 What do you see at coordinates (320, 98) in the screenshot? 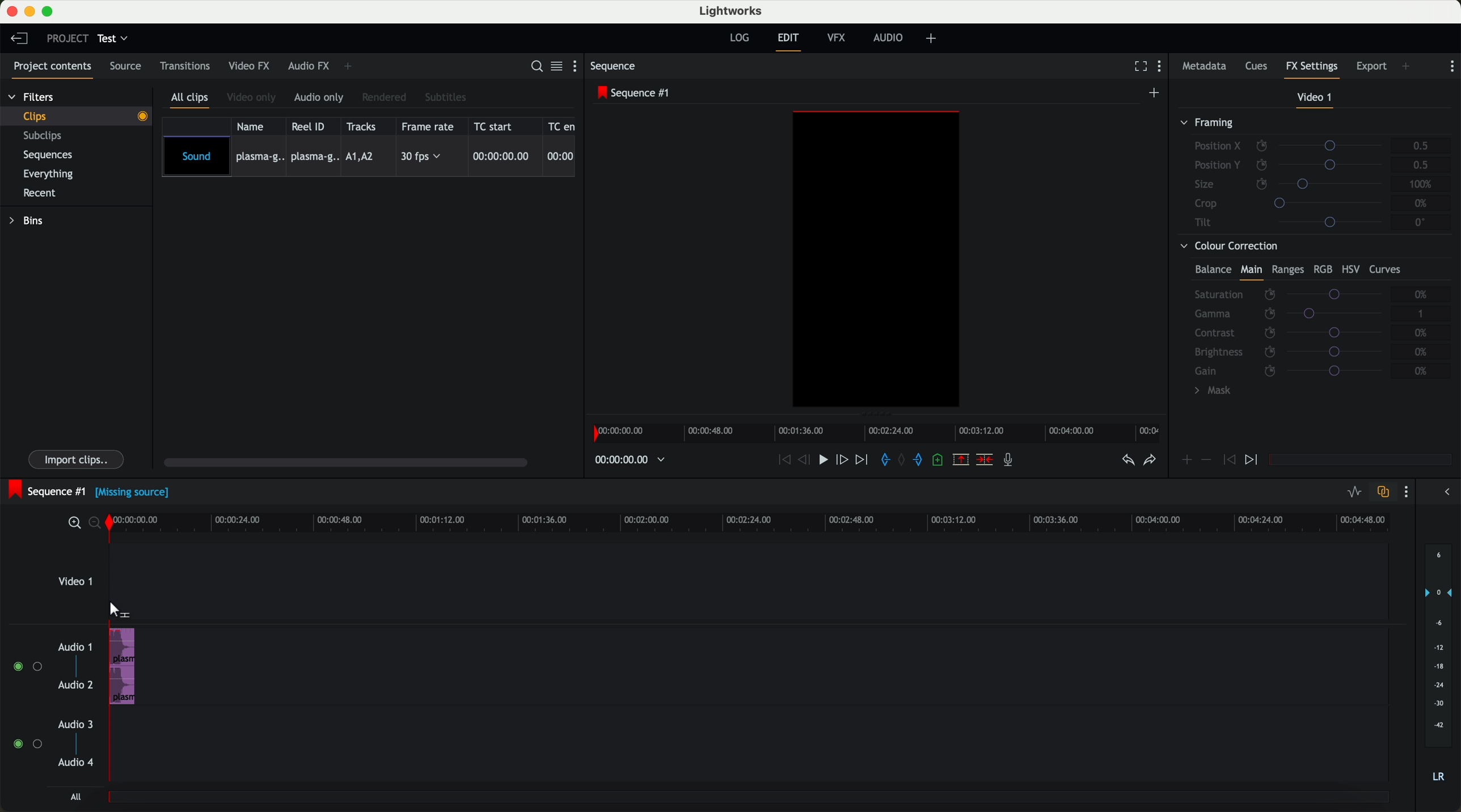
I see `audio only` at bounding box center [320, 98].